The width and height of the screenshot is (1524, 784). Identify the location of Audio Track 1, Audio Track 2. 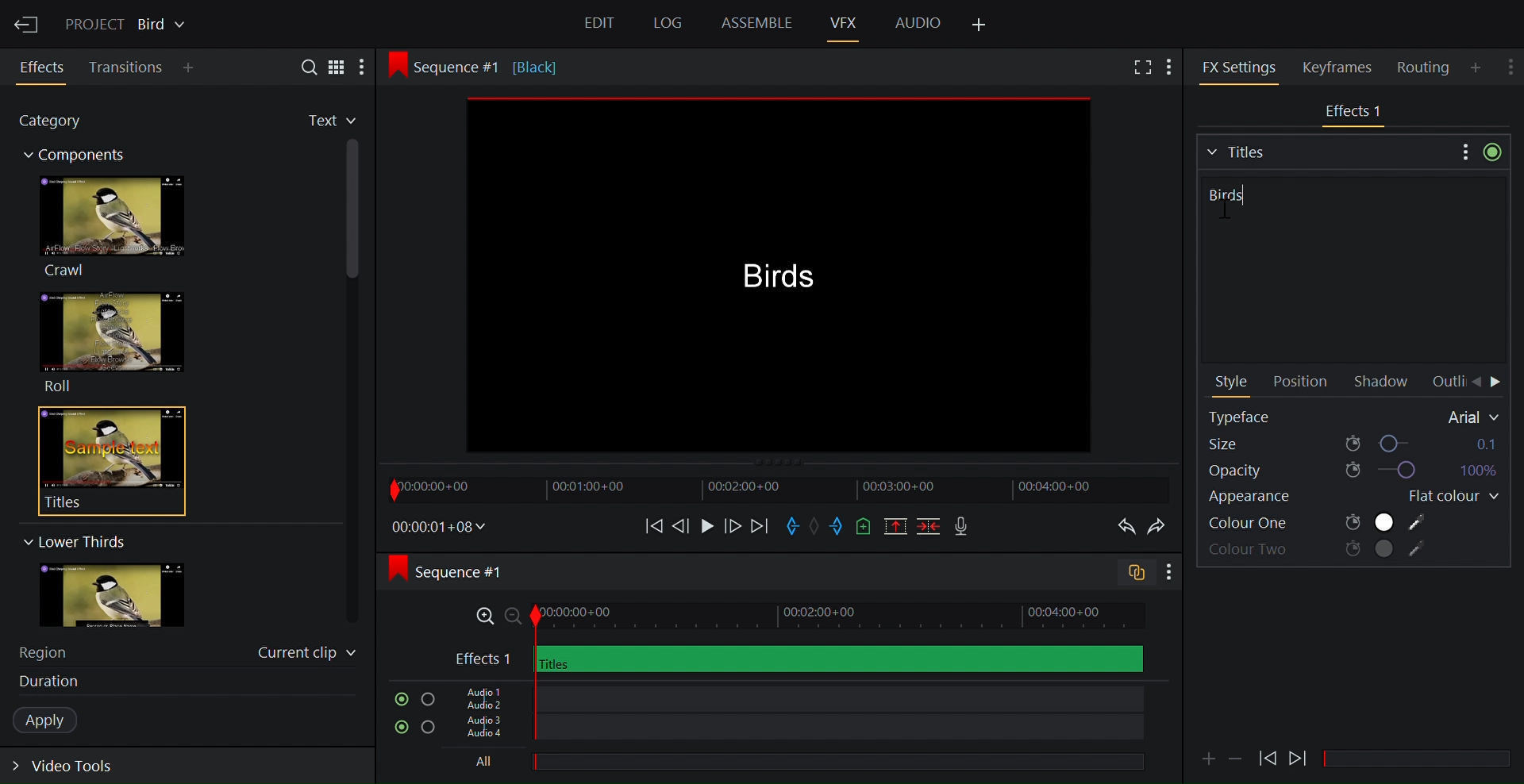
(794, 697).